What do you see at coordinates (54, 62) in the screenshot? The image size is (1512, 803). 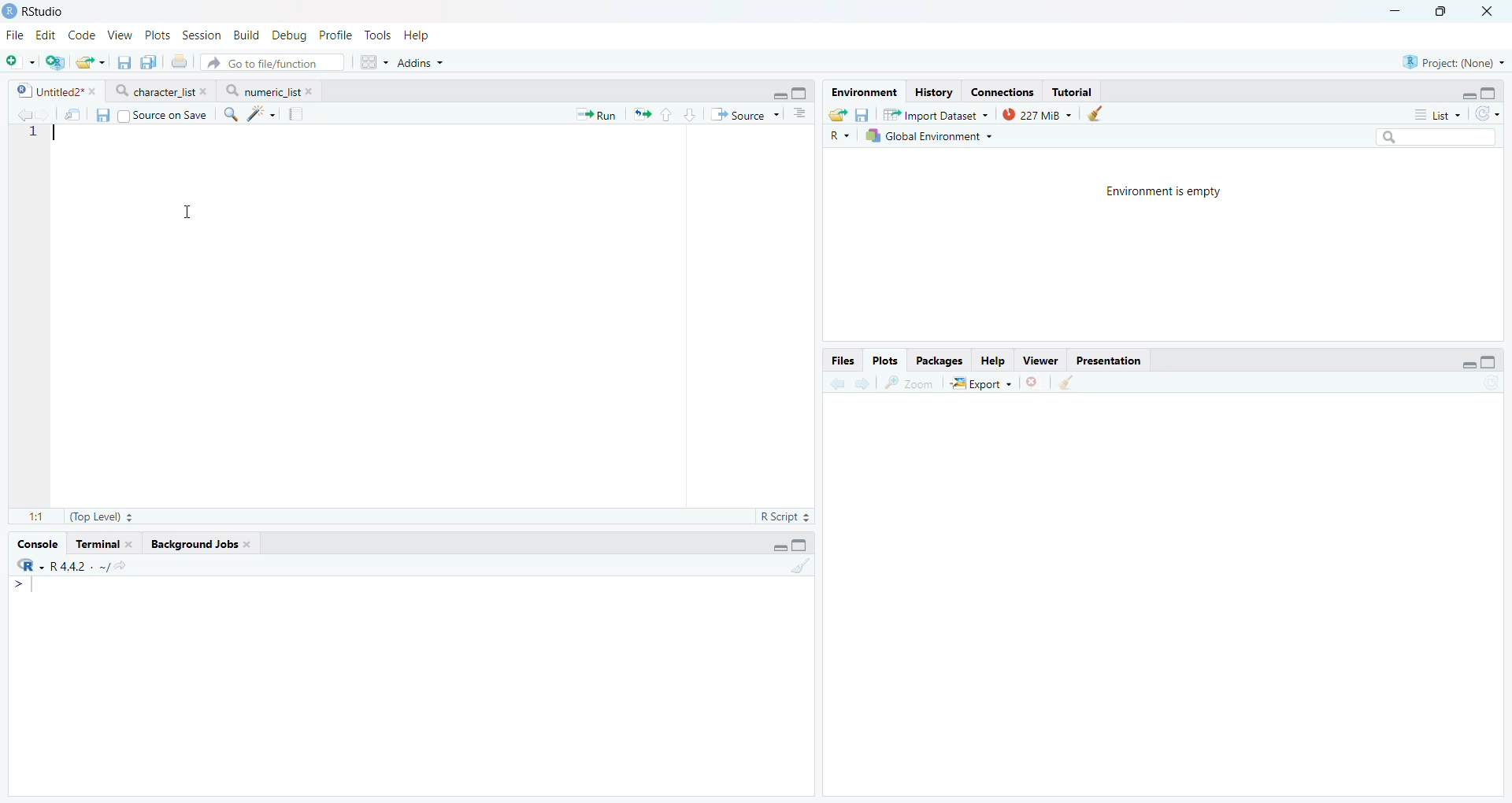 I see `Open new project` at bounding box center [54, 62].